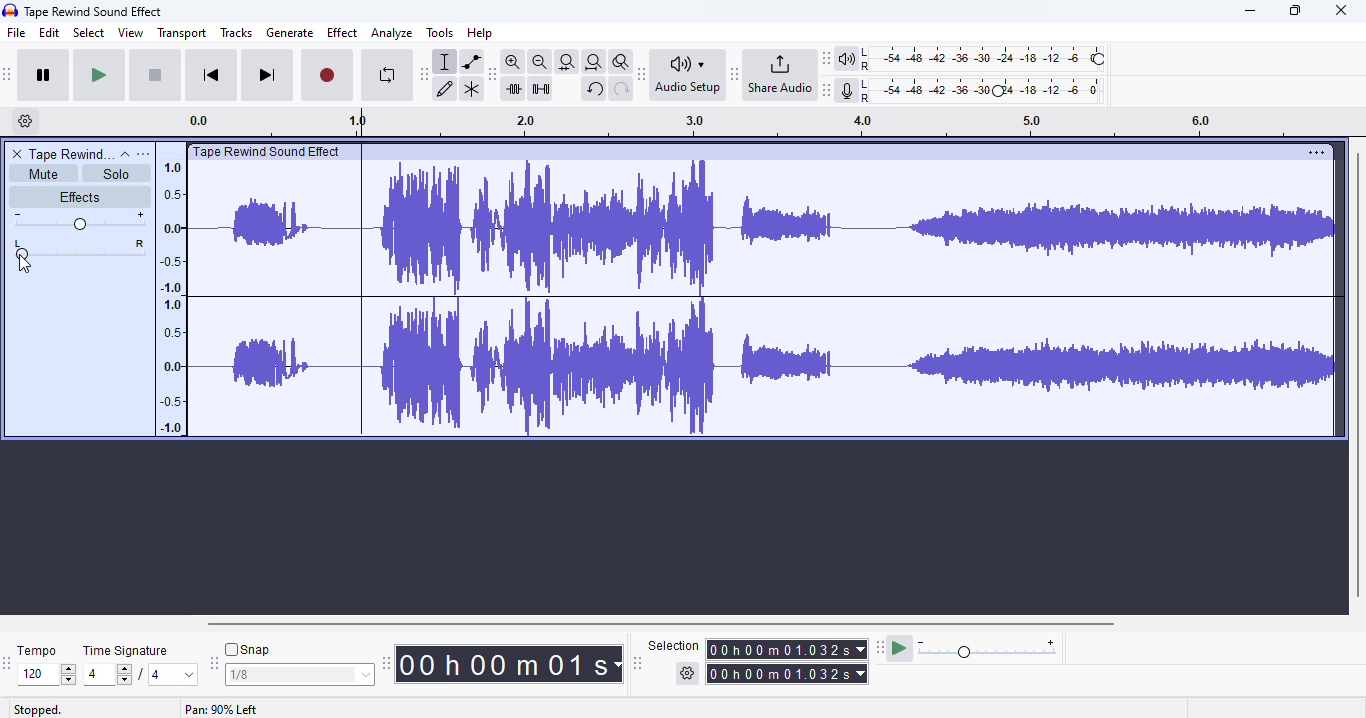 Image resolution: width=1366 pixels, height=718 pixels. I want to click on envelope tool, so click(472, 62).